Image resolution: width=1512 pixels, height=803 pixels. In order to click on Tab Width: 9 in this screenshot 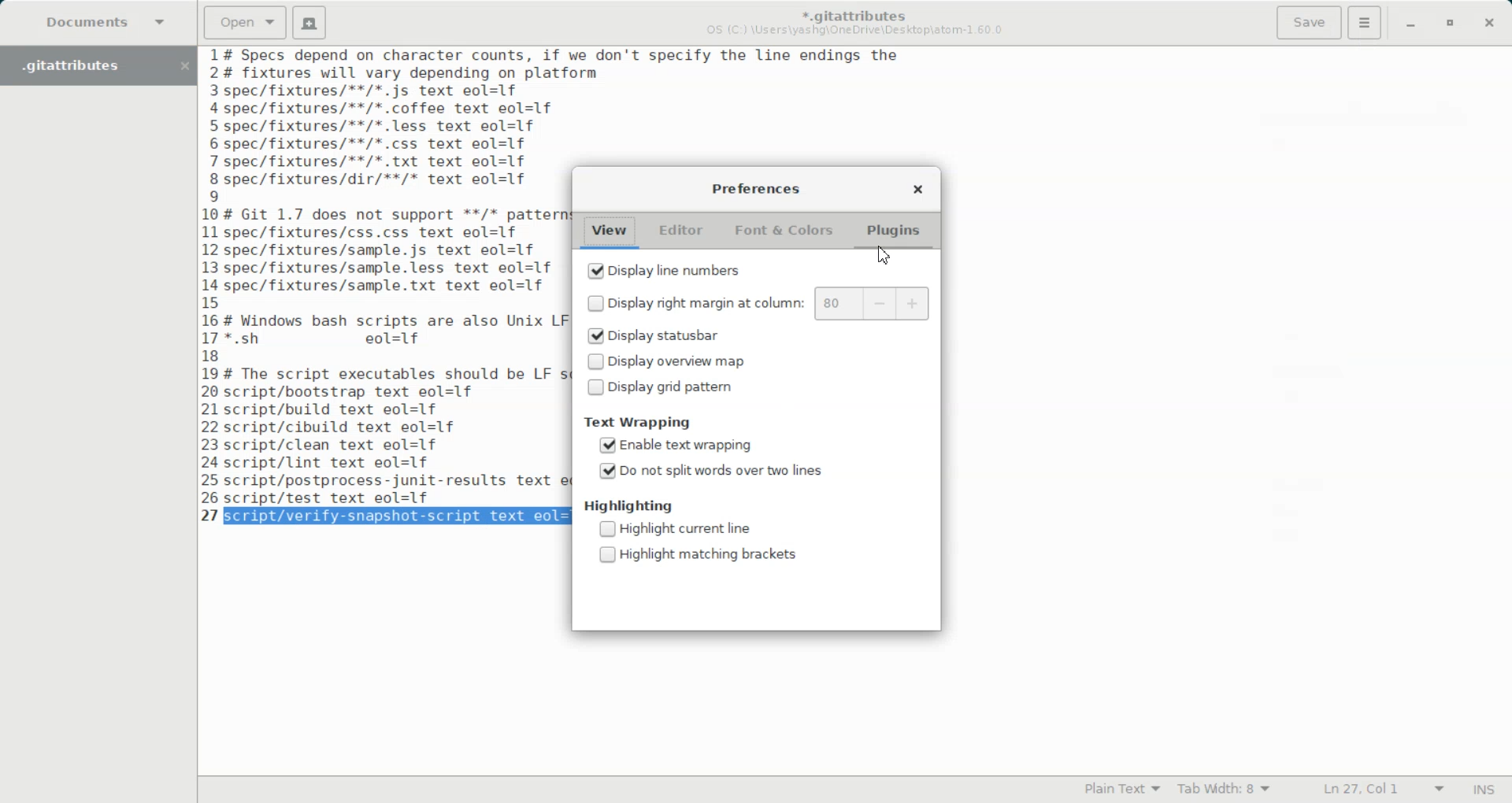, I will do `click(1225, 790)`.